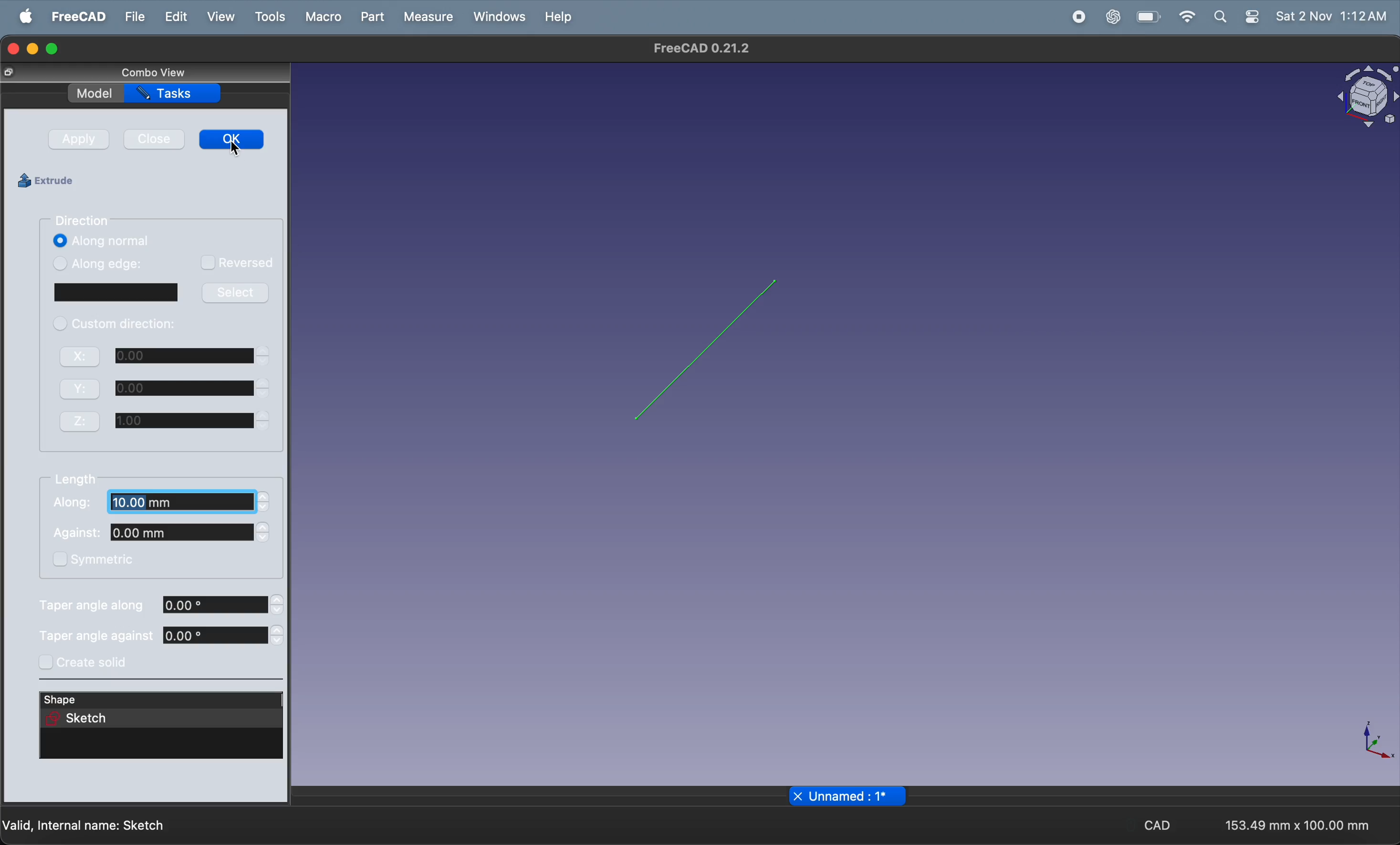 The height and width of the screenshot is (845, 1400). Describe the element at coordinates (218, 18) in the screenshot. I see `view` at that location.